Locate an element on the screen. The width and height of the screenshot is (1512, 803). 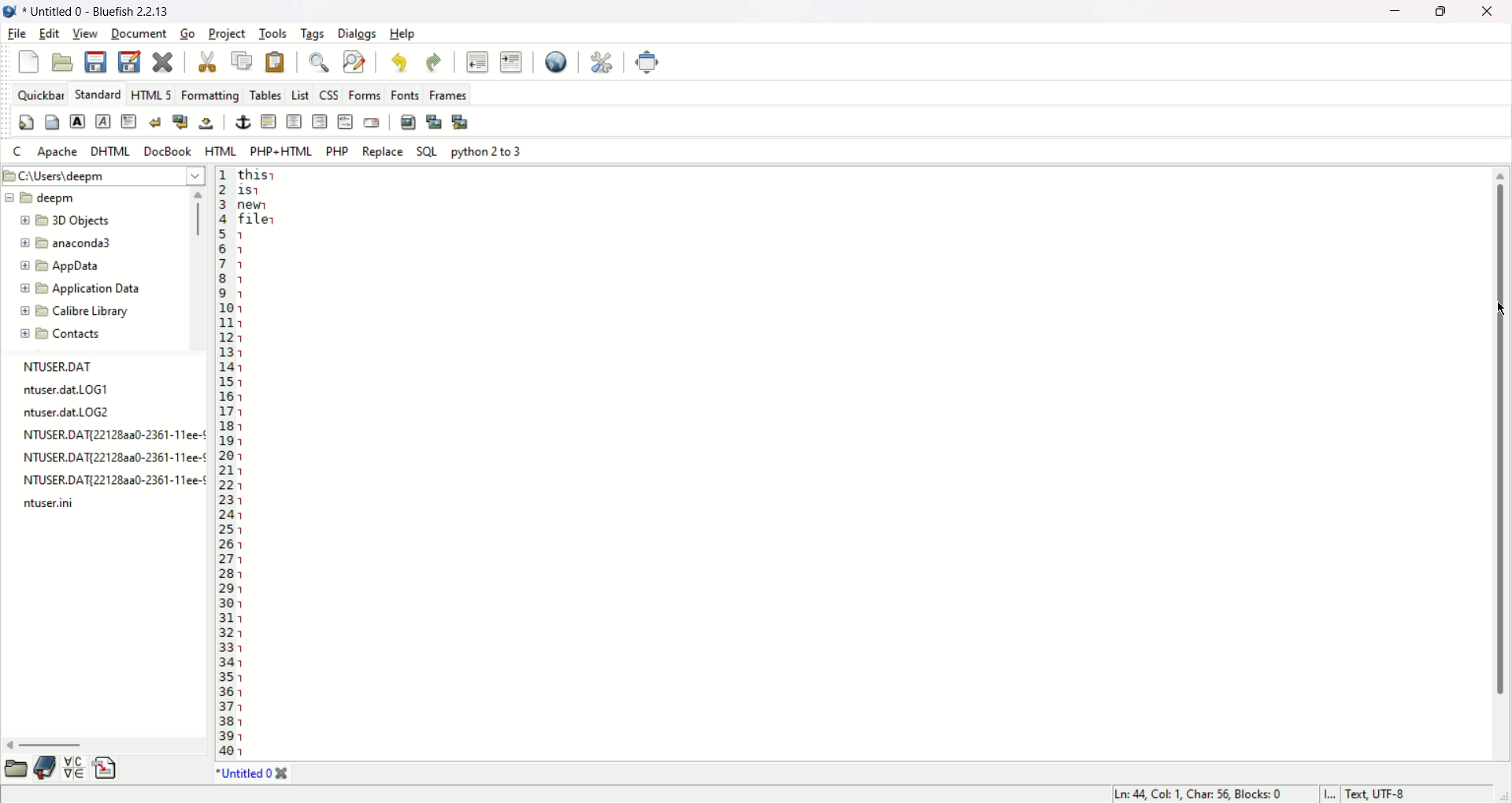
break is located at coordinates (155, 121).